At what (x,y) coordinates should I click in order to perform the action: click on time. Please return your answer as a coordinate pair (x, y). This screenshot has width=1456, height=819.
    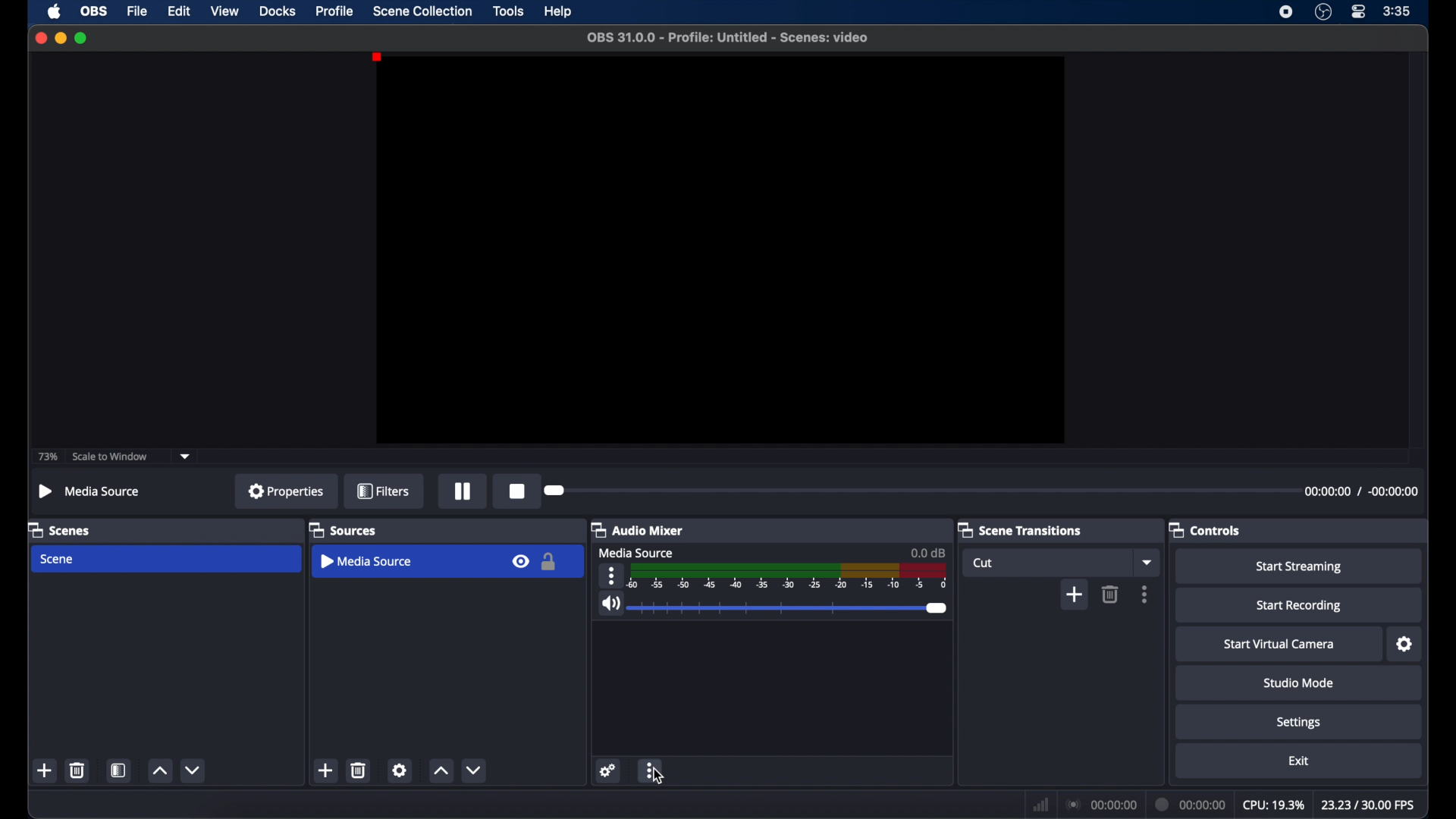
    Looking at the image, I should click on (1397, 11).